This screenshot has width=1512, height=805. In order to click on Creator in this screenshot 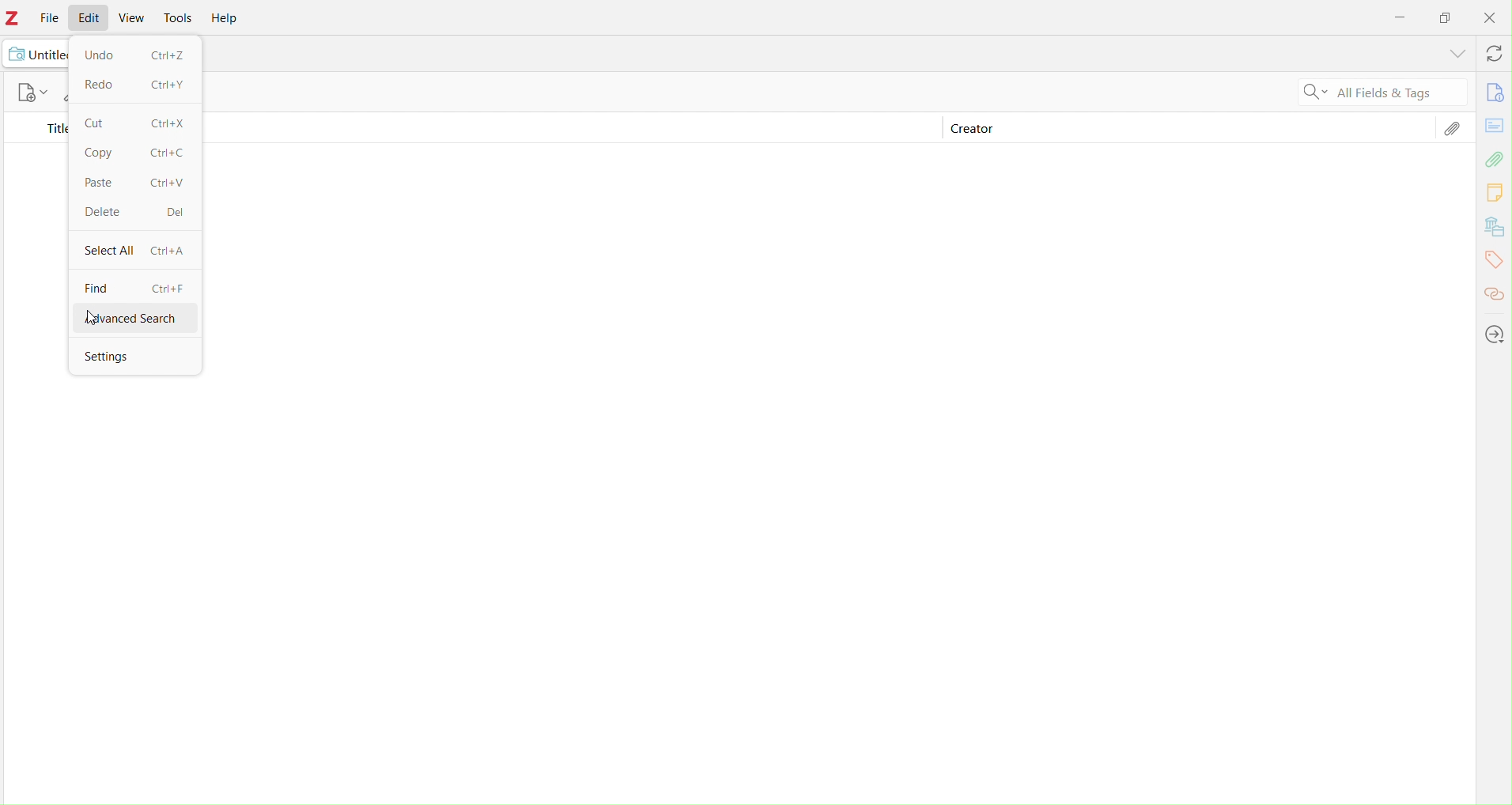, I will do `click(970, 130)`.